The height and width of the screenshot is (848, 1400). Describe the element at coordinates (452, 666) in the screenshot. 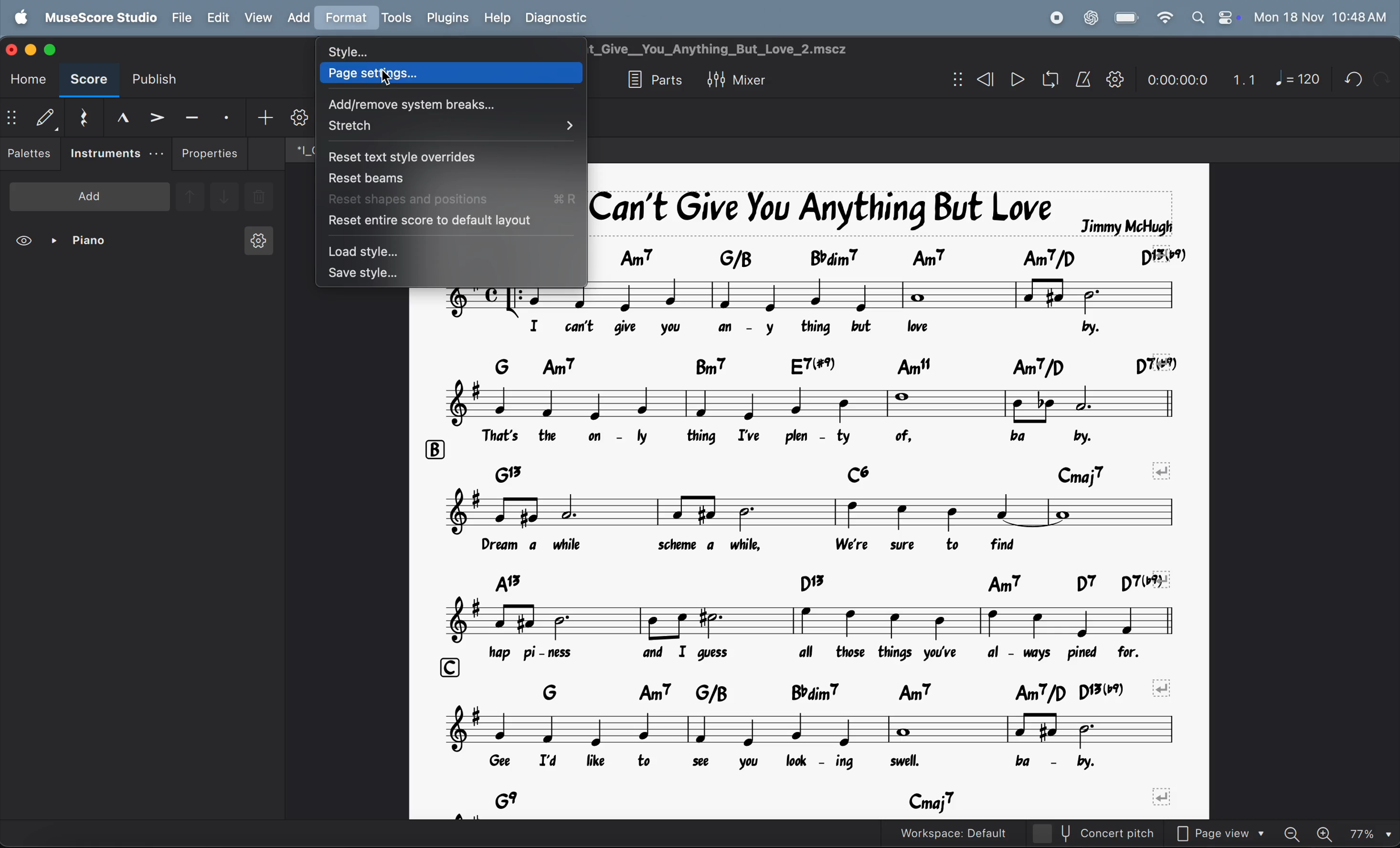

I see `rows` at that location.